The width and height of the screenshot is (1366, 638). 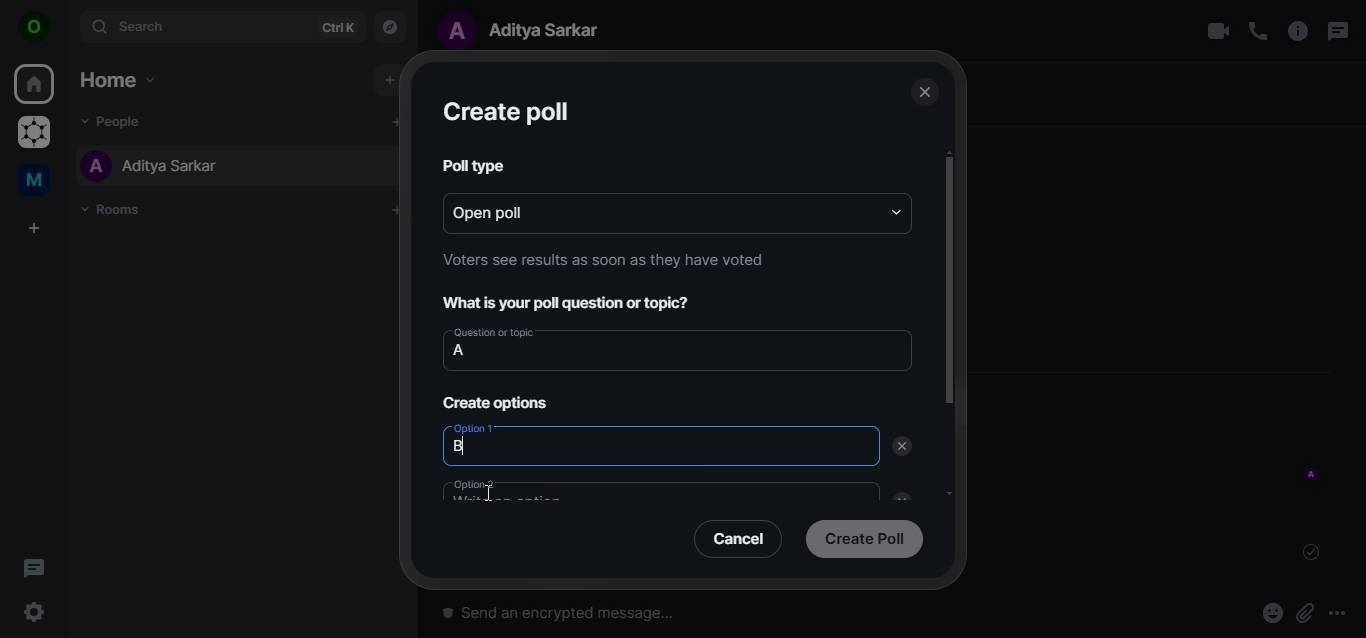 I want to click on rooms, so click(x=117, y=210).